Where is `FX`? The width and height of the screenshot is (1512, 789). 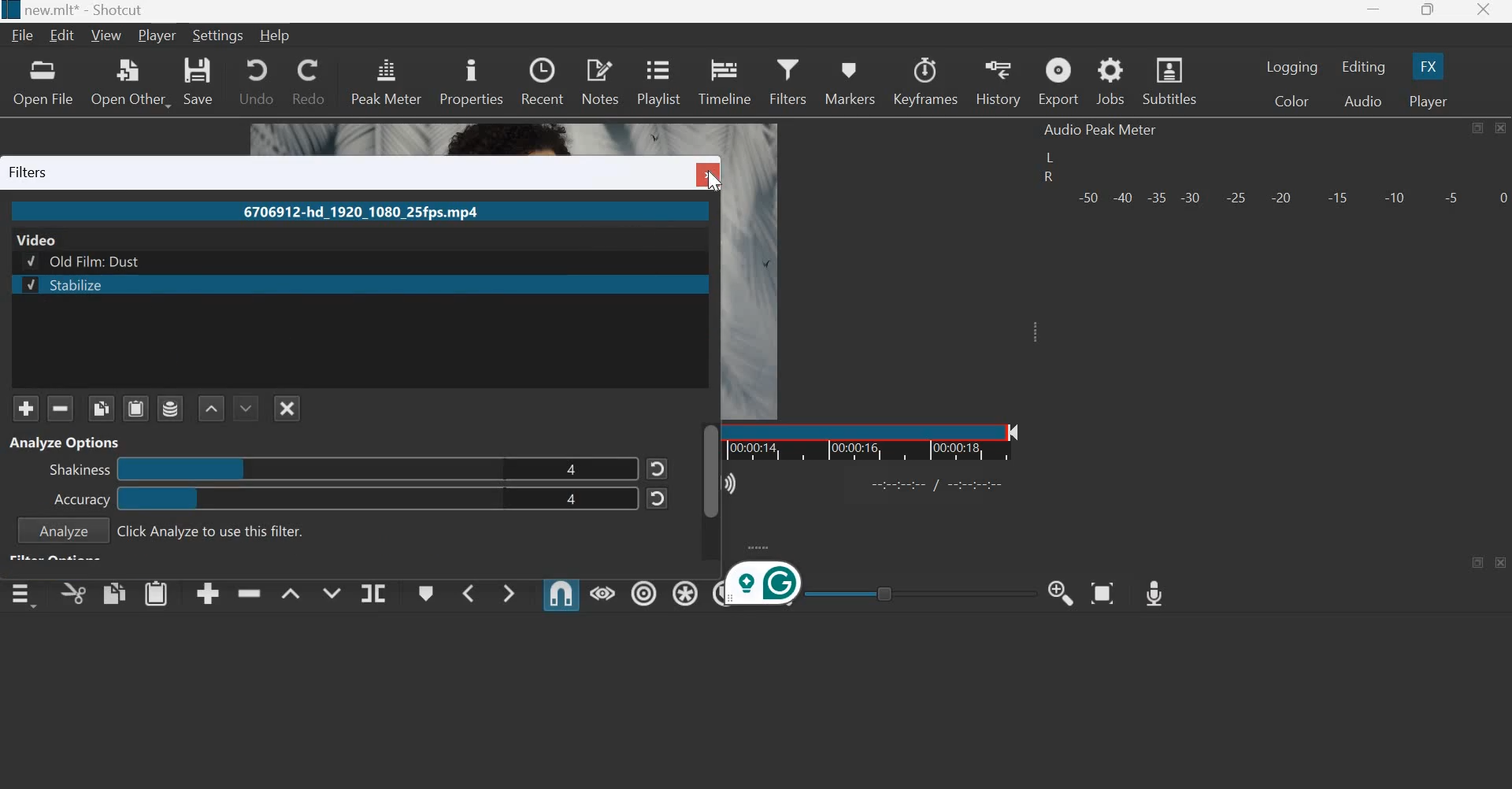 FX is located at coordinates (1429, 66).